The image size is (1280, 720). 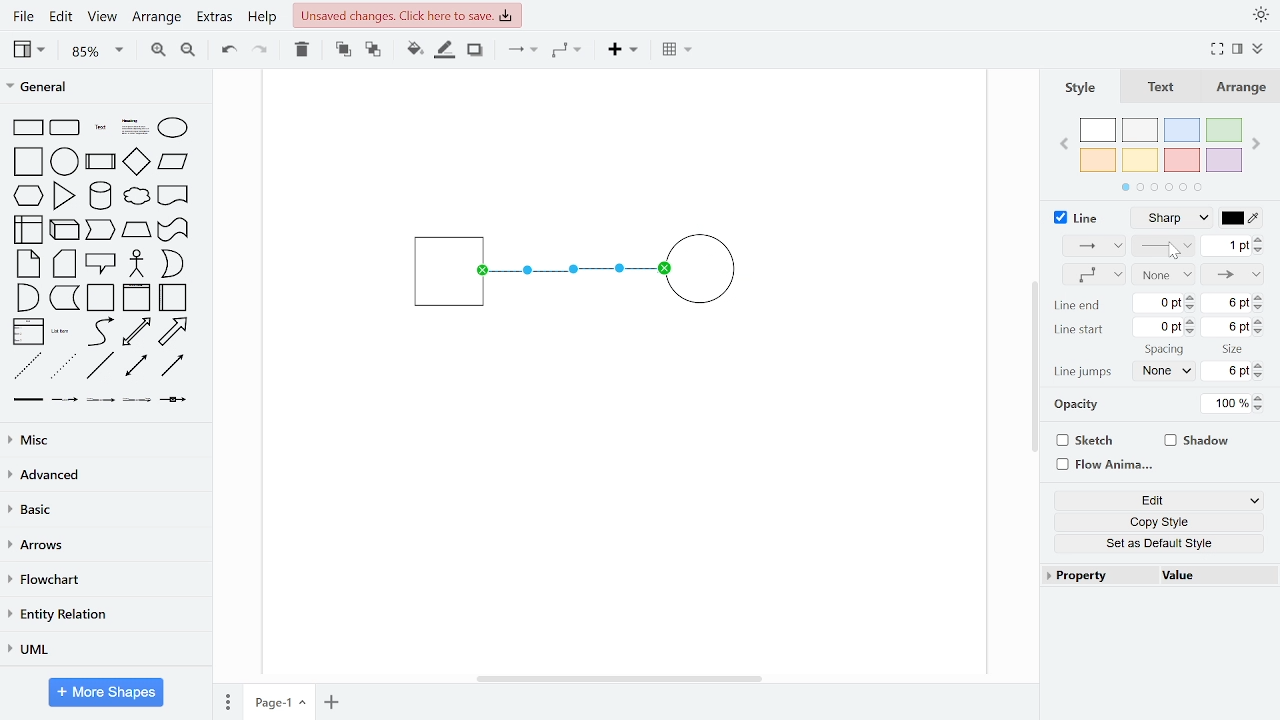 I want to click on horizontal scrollbar, so click(x=622, y=678).